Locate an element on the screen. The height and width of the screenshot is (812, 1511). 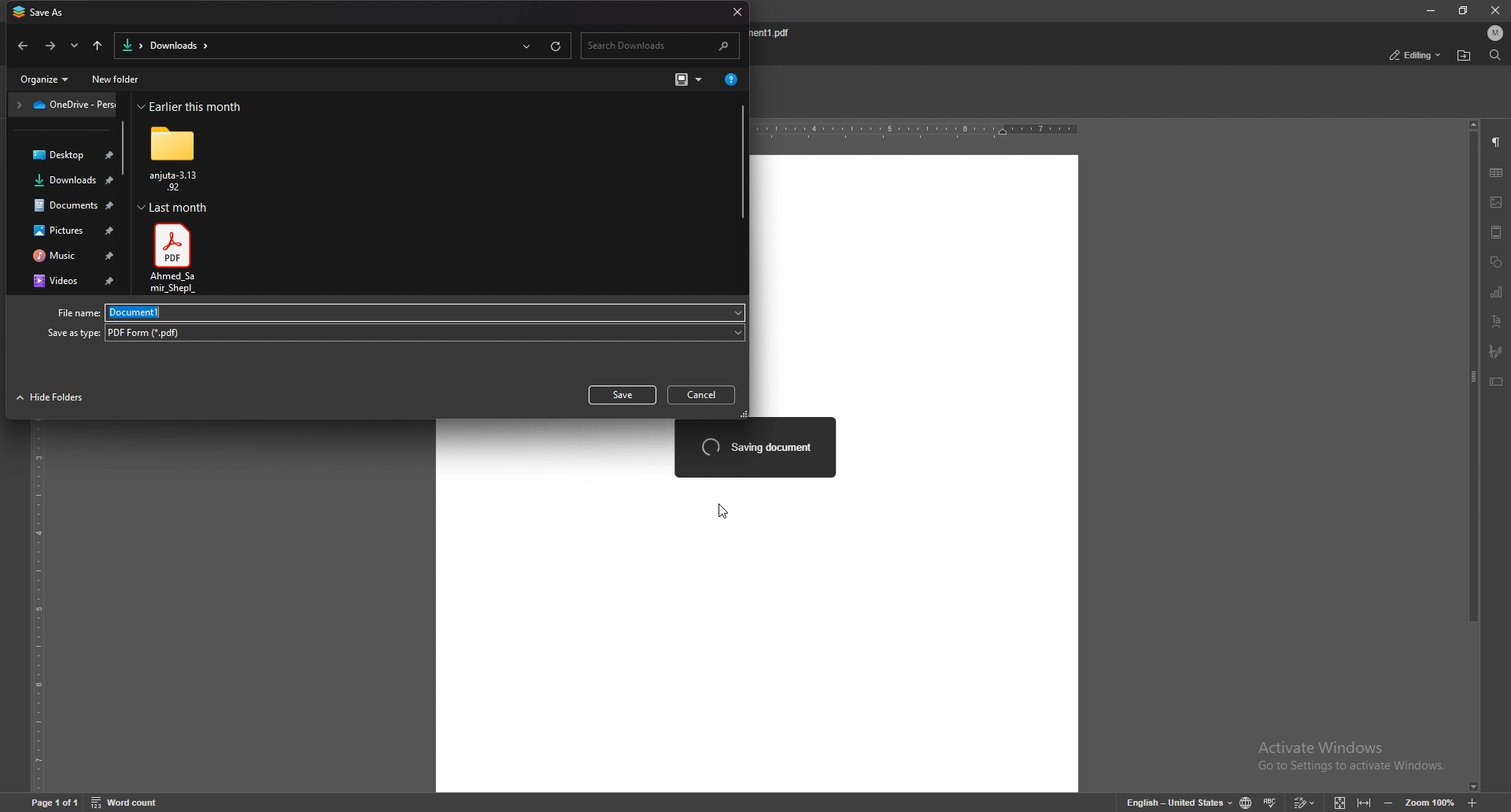
zoom is located at coordinates (1431, 802).